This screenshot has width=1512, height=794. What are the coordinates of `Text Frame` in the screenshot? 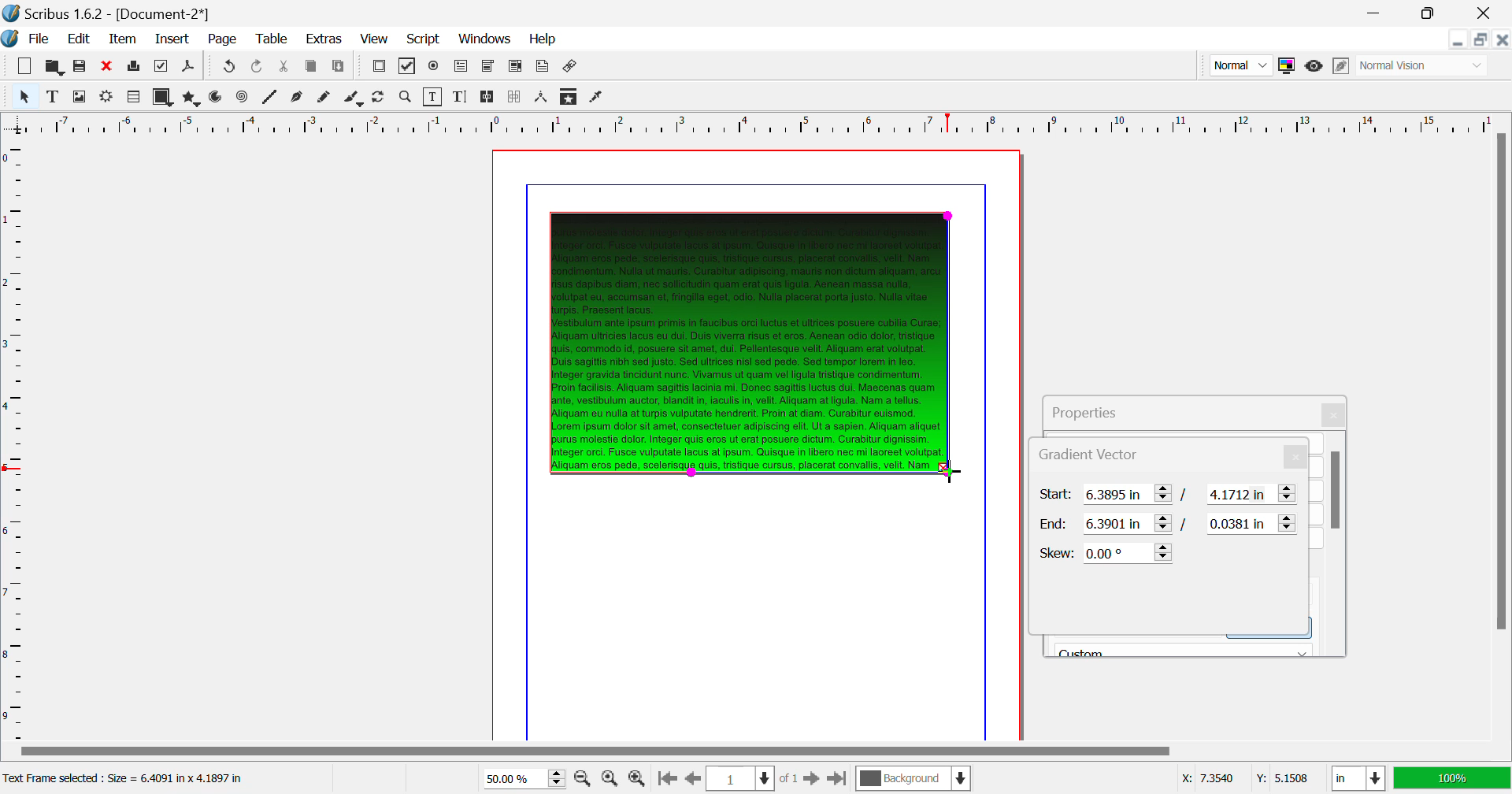 It's located at (53, 96).